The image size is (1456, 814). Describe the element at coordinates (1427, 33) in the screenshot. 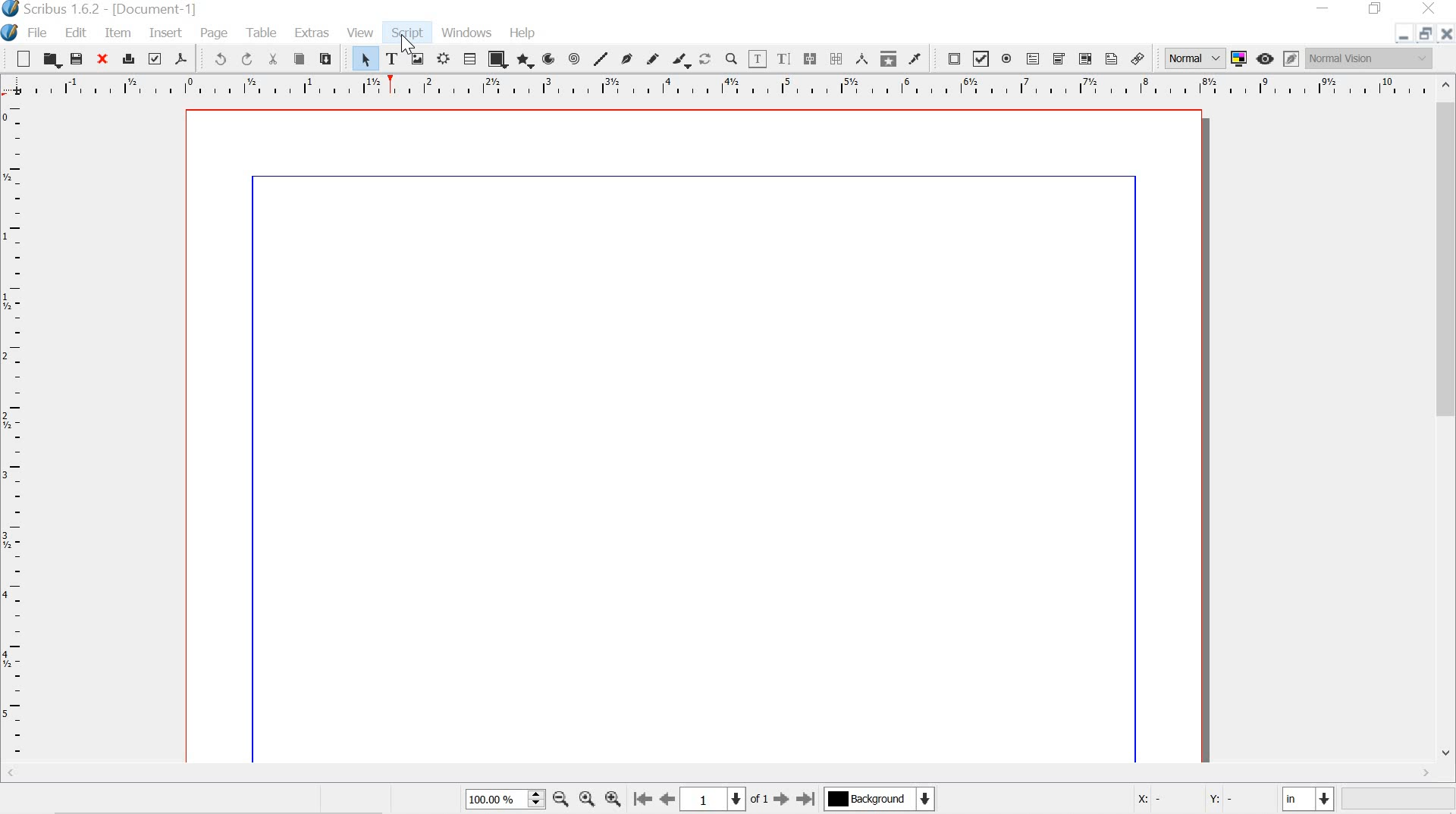

I see `restore down` at that location.